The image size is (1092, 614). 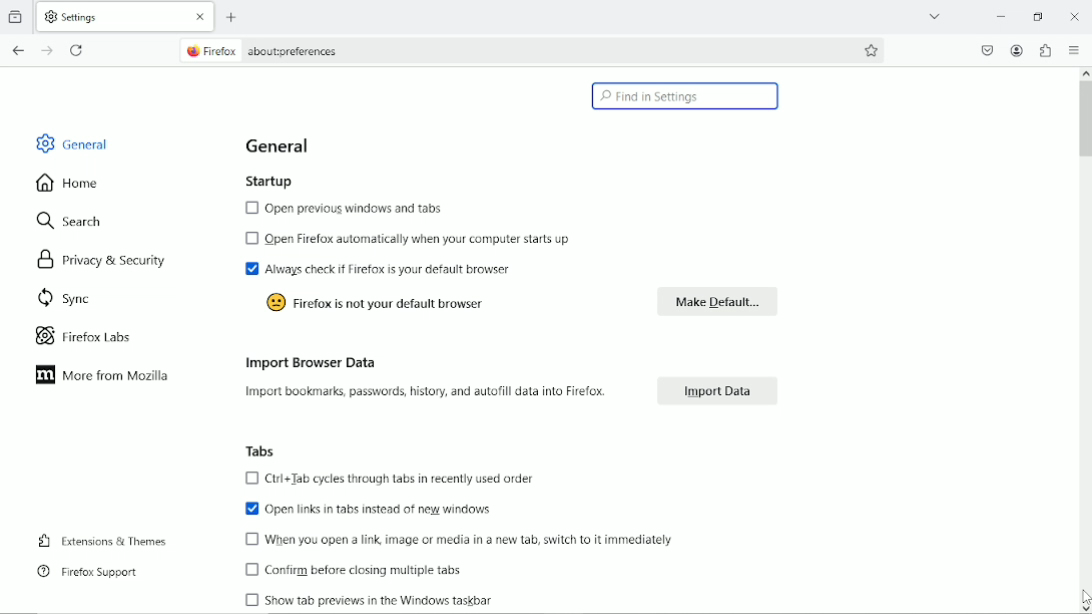 I want to click on Scroll Up, so click(x=1085, y=74).